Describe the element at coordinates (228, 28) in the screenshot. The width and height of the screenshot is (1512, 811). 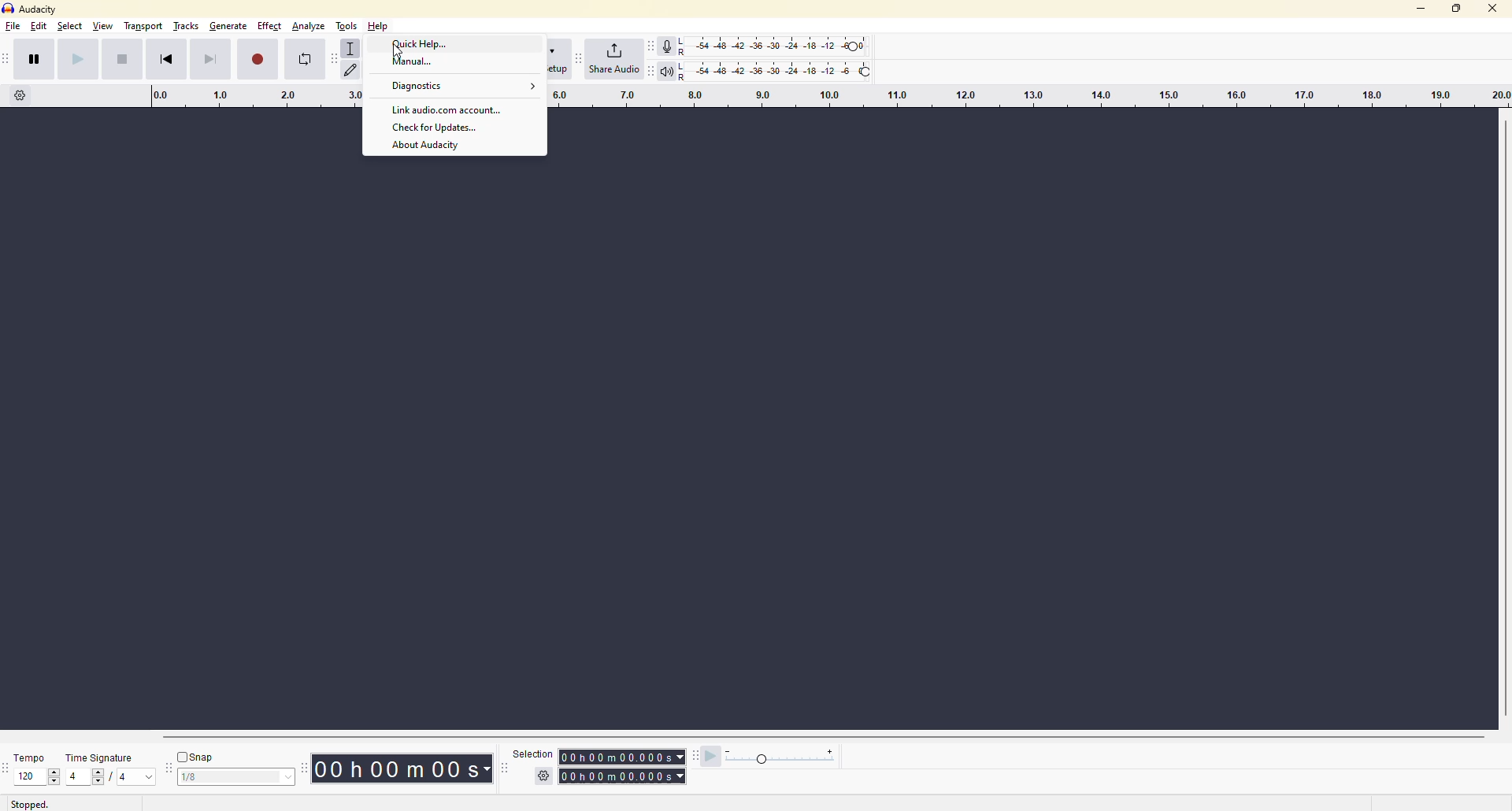
I see `generate` at that location.